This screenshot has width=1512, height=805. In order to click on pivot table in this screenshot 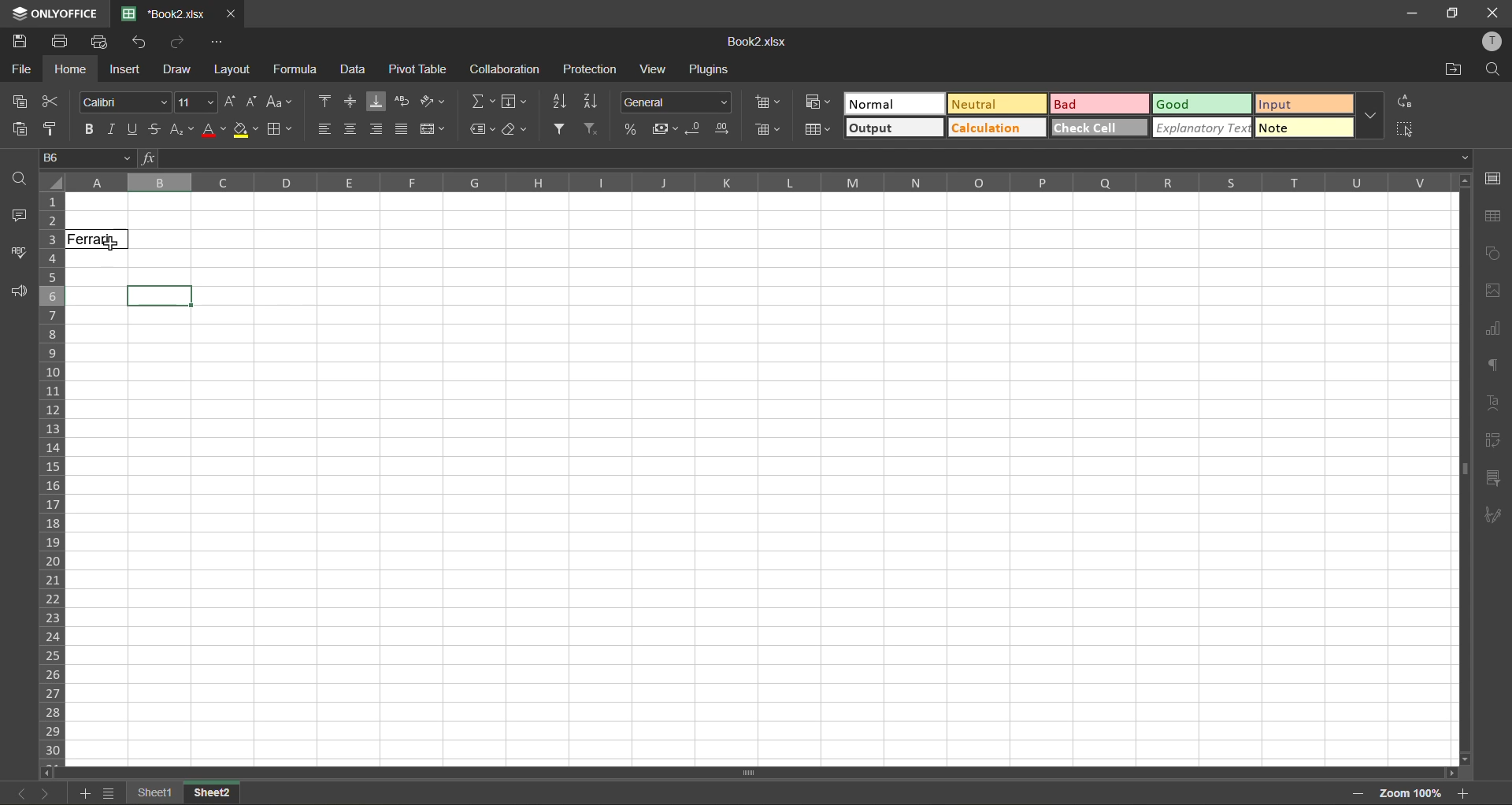, I will do `click(418, 69)`.